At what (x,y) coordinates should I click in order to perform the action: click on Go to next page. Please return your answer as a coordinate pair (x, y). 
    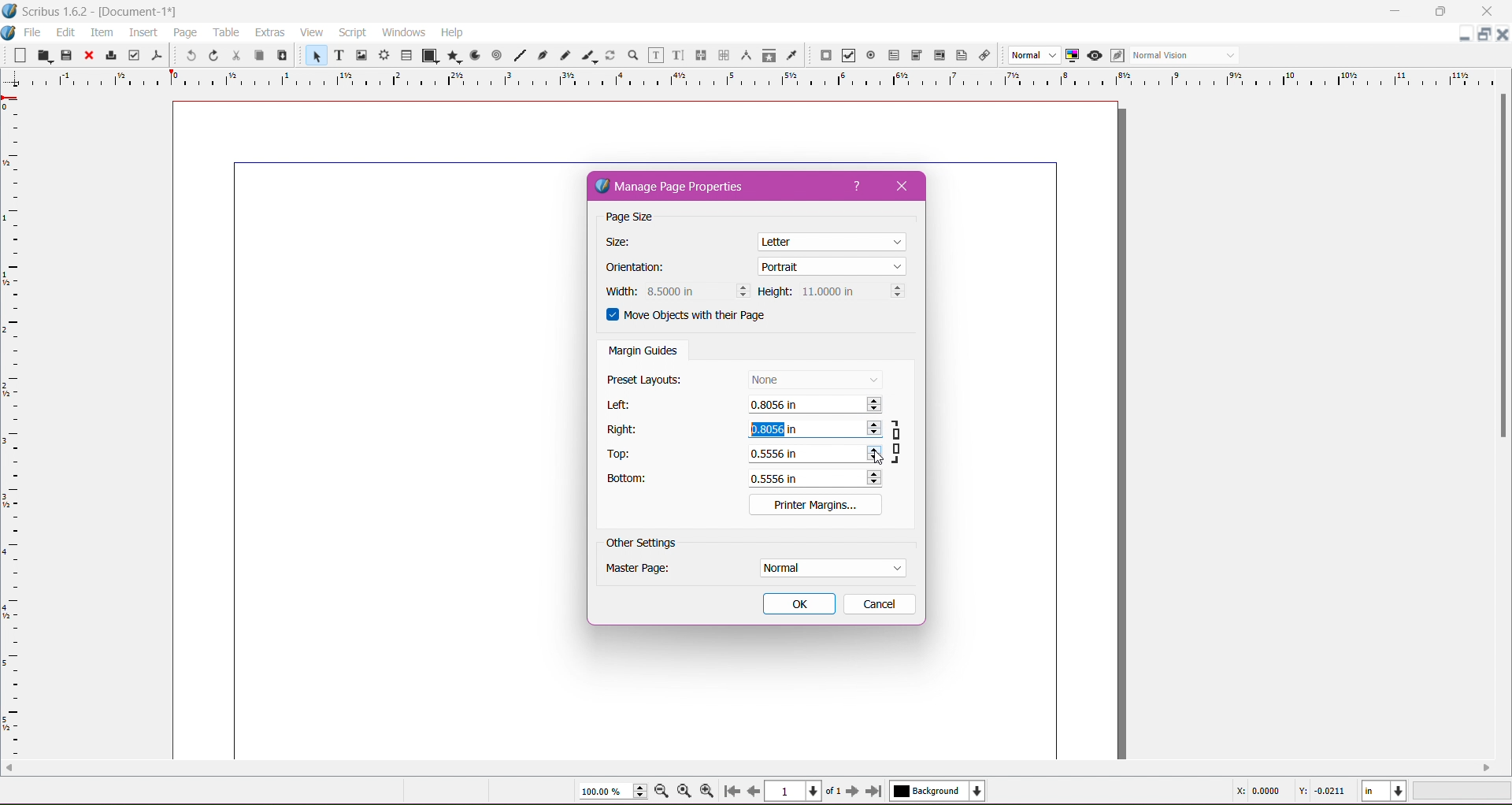
    Looking at the image, I should click on (852, 792).